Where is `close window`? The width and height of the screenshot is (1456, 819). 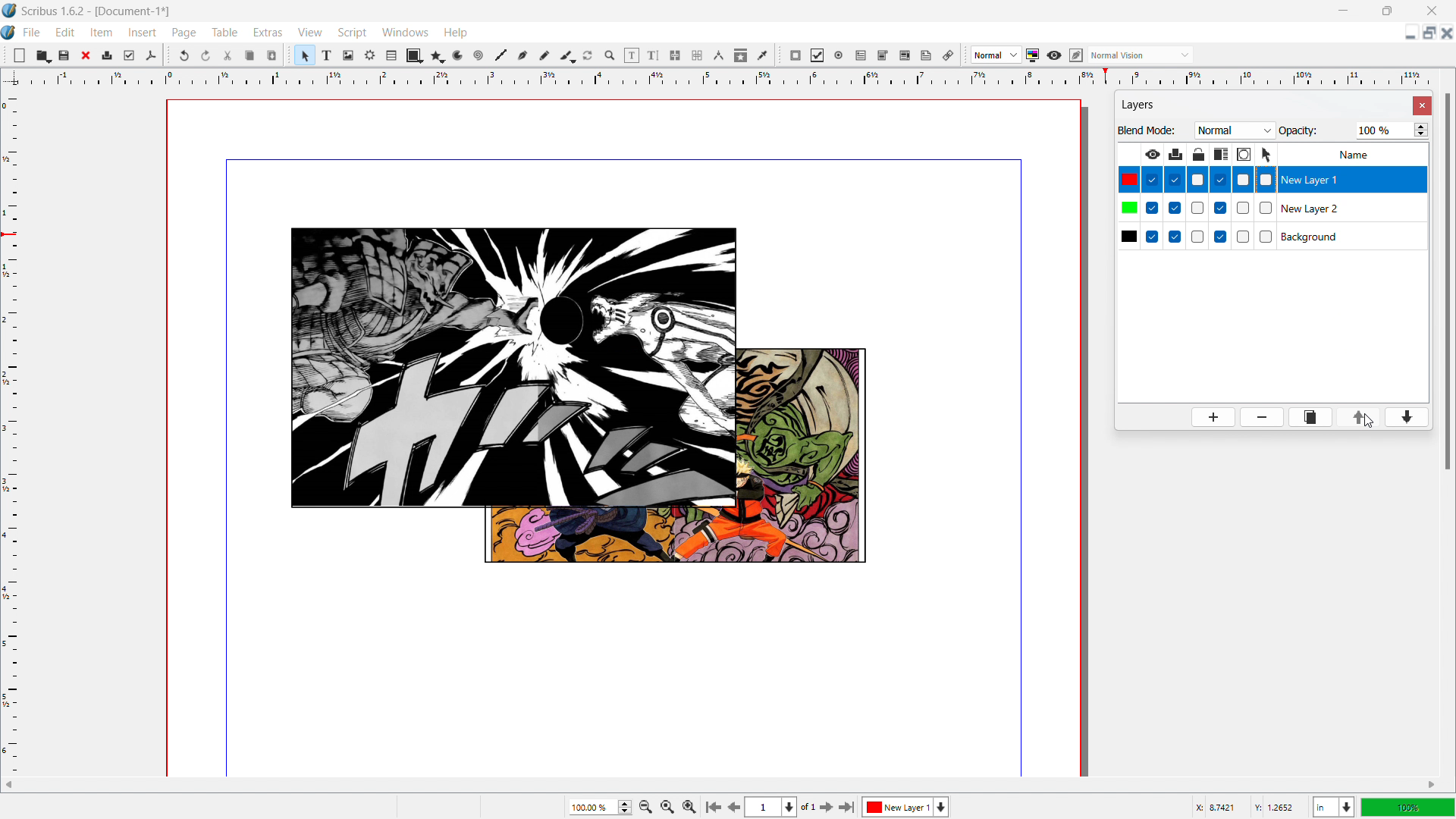 close window is located at coordinates (1432, 11).